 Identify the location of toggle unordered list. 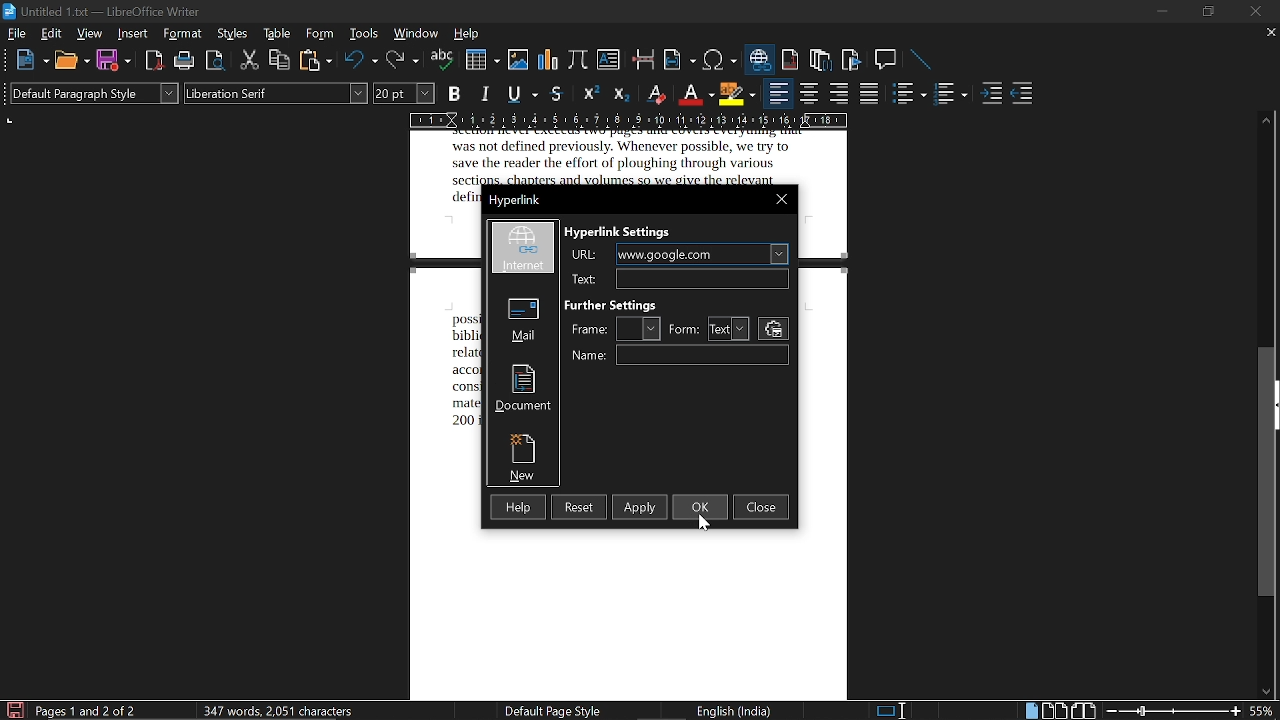
(952, 95).